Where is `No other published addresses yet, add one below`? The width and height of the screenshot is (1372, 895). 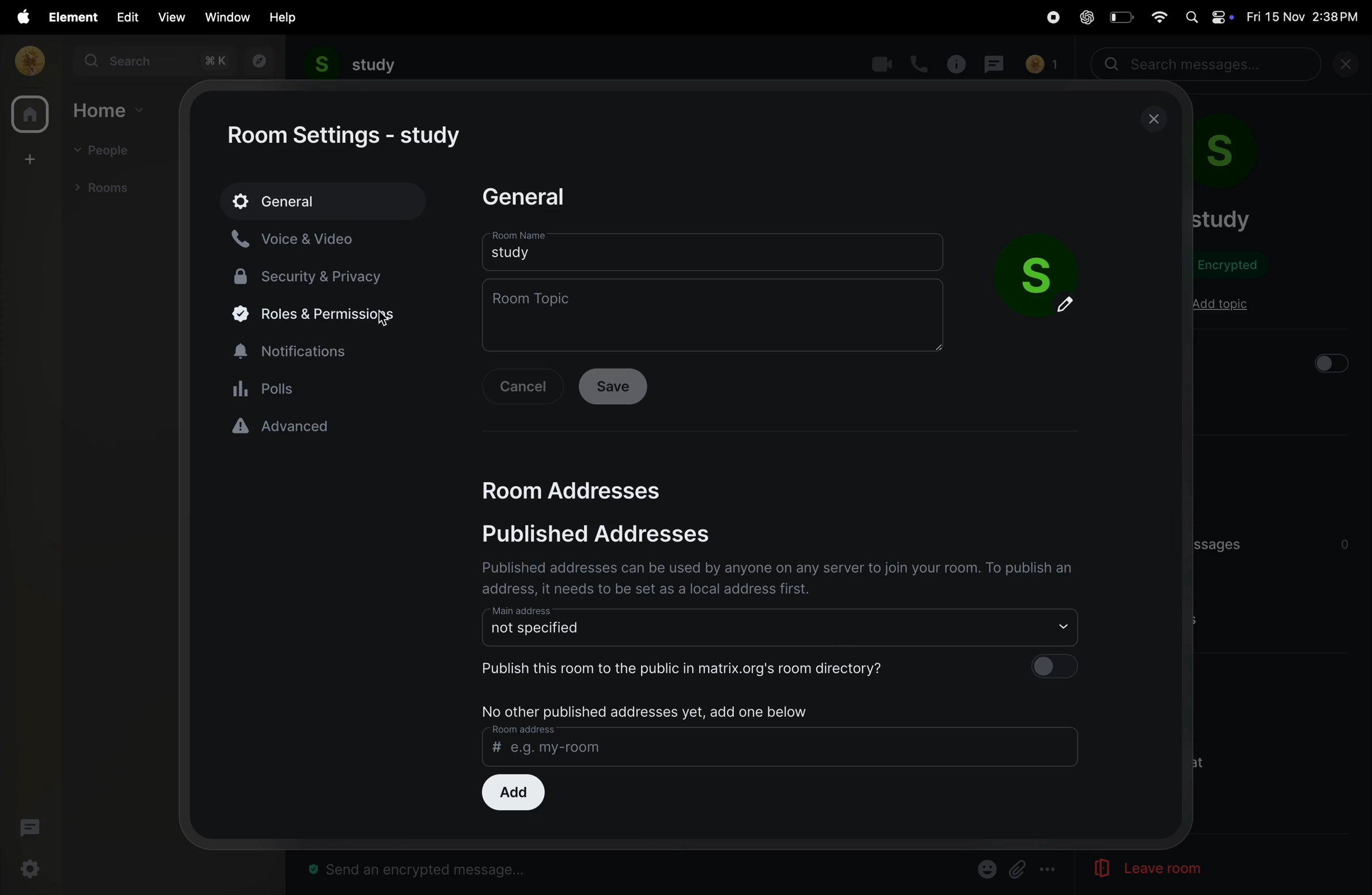
No other published addresses yet, add one below is located at coordinates (649, 710).